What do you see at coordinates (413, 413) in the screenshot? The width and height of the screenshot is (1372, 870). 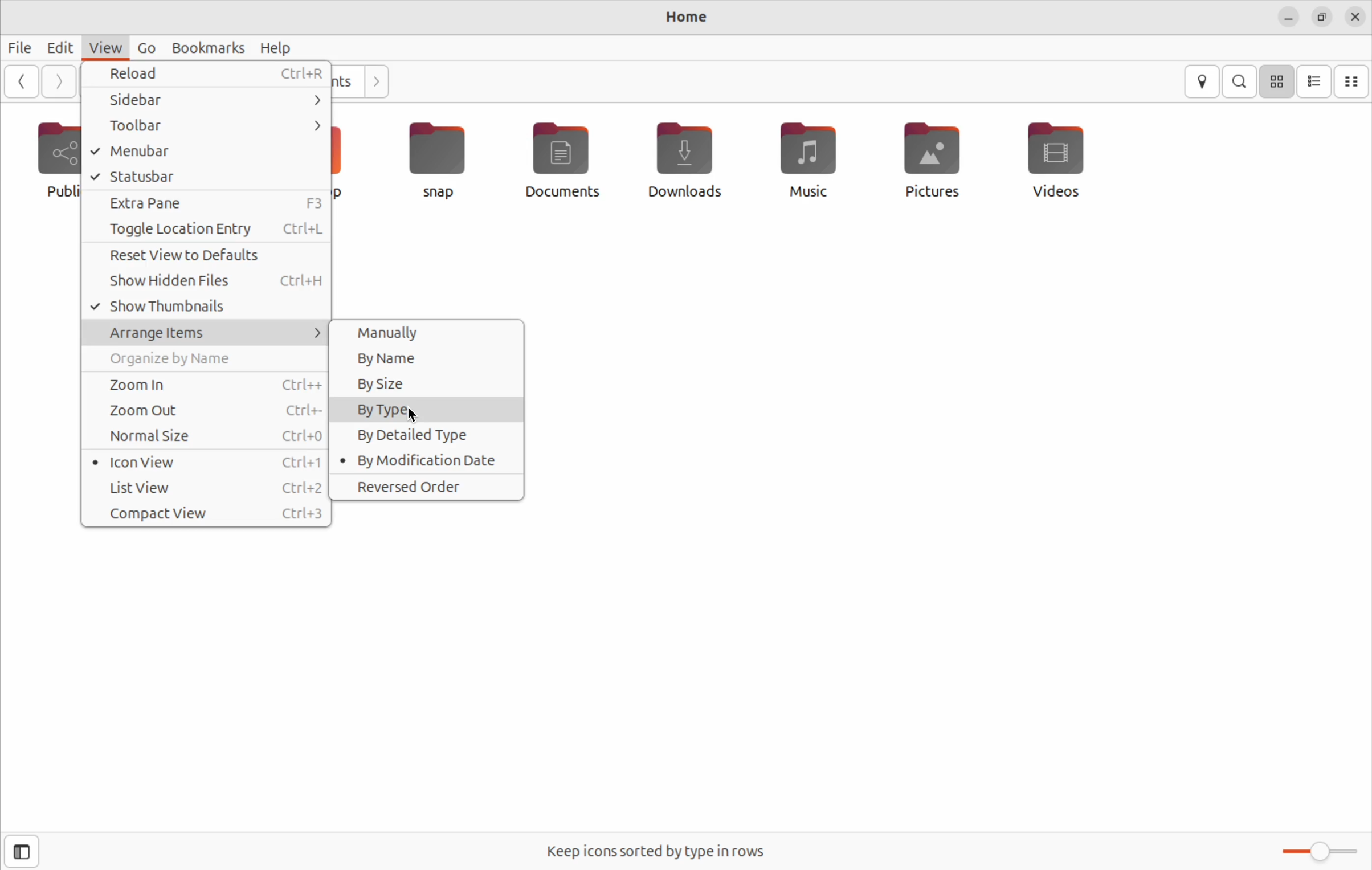 I see `cursor` at bounding box center [413, 413].